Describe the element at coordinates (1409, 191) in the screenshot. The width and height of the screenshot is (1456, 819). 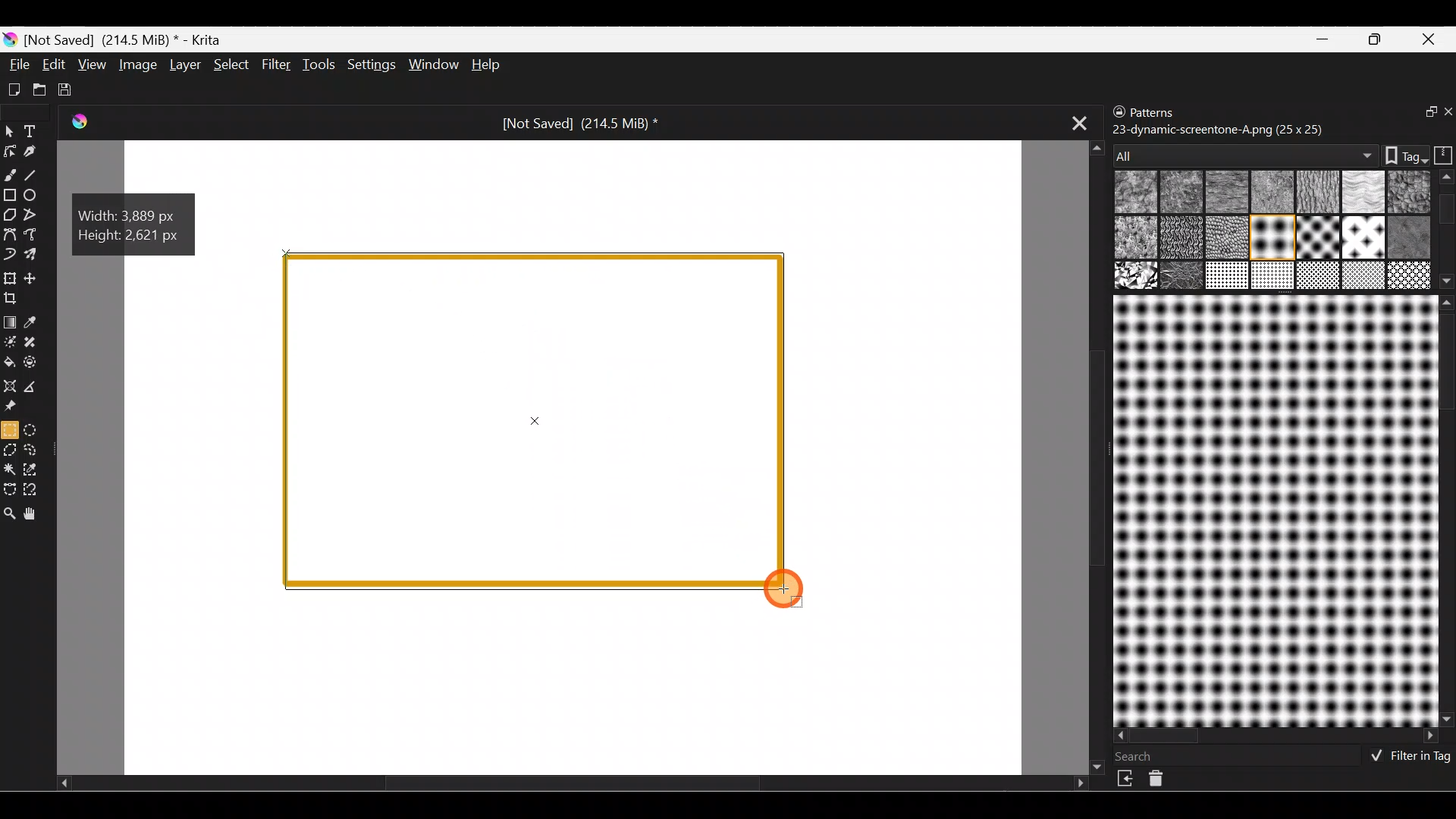
I see `06 Hard-grain.png` at that location.